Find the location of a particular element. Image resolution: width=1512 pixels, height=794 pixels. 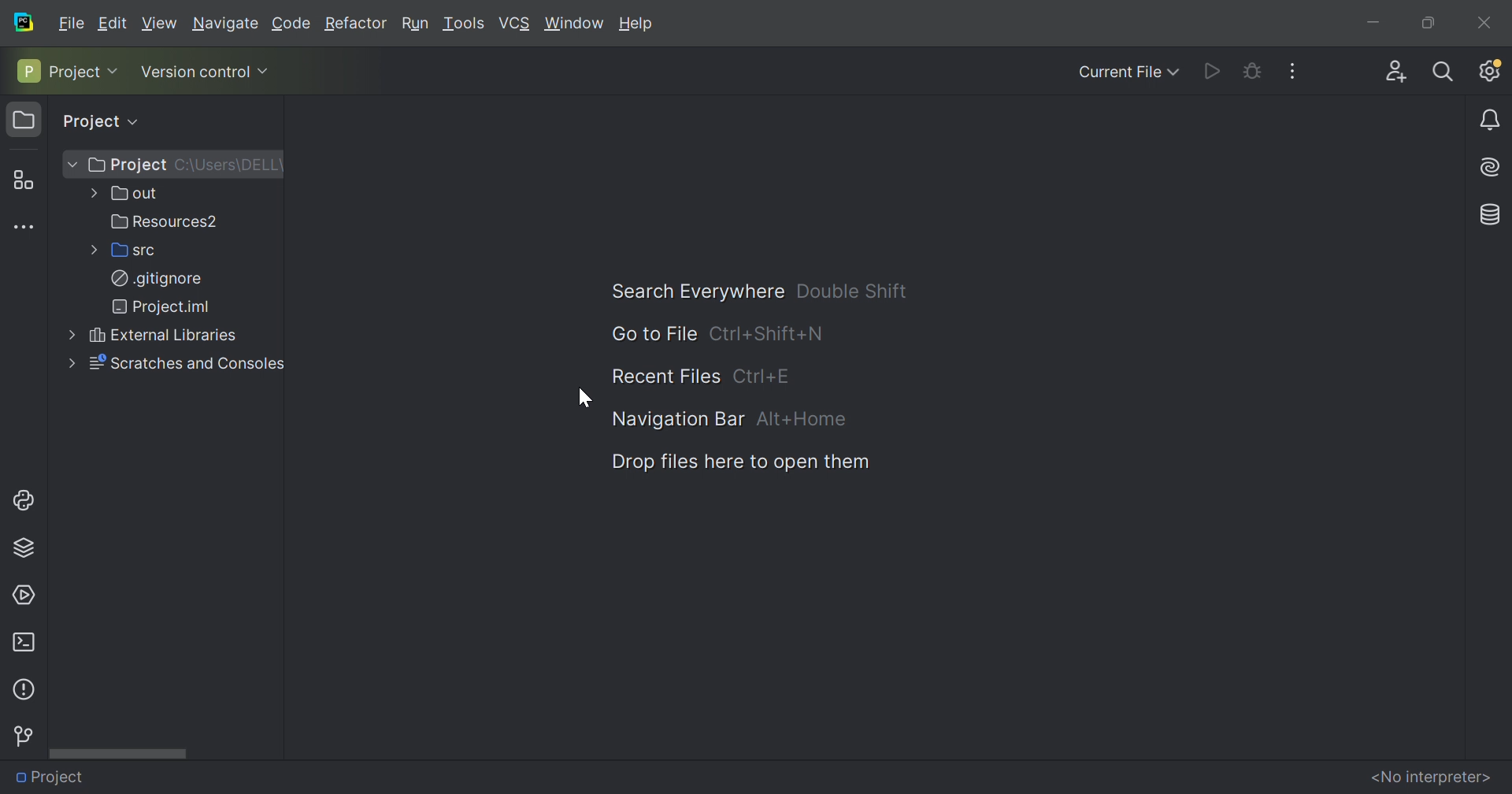

Notifications is located at coordinates (1492, 121).